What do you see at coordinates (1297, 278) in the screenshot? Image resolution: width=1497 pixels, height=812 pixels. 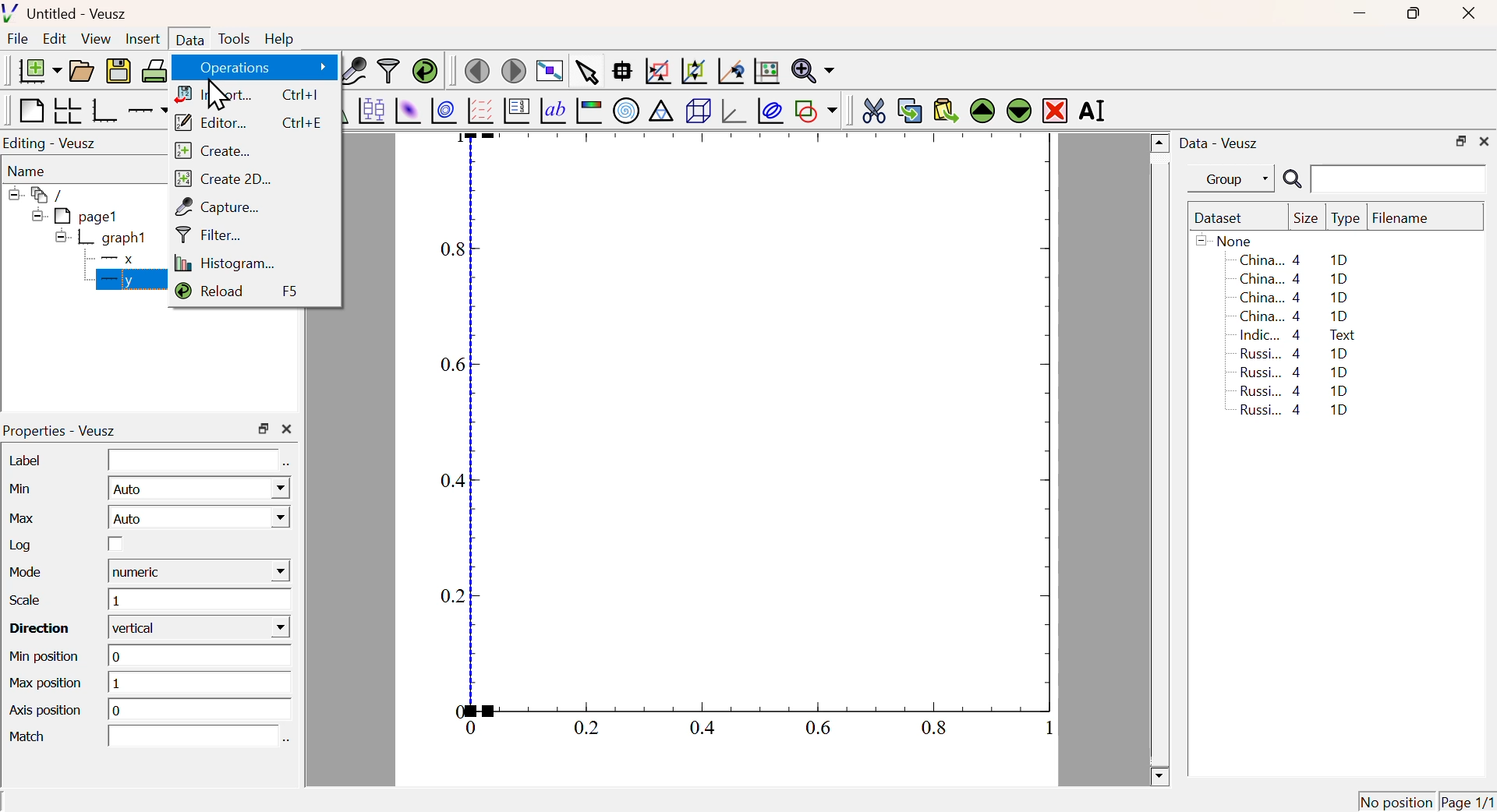 I see `China... 4 1D` at bounding box center [1297, 278].